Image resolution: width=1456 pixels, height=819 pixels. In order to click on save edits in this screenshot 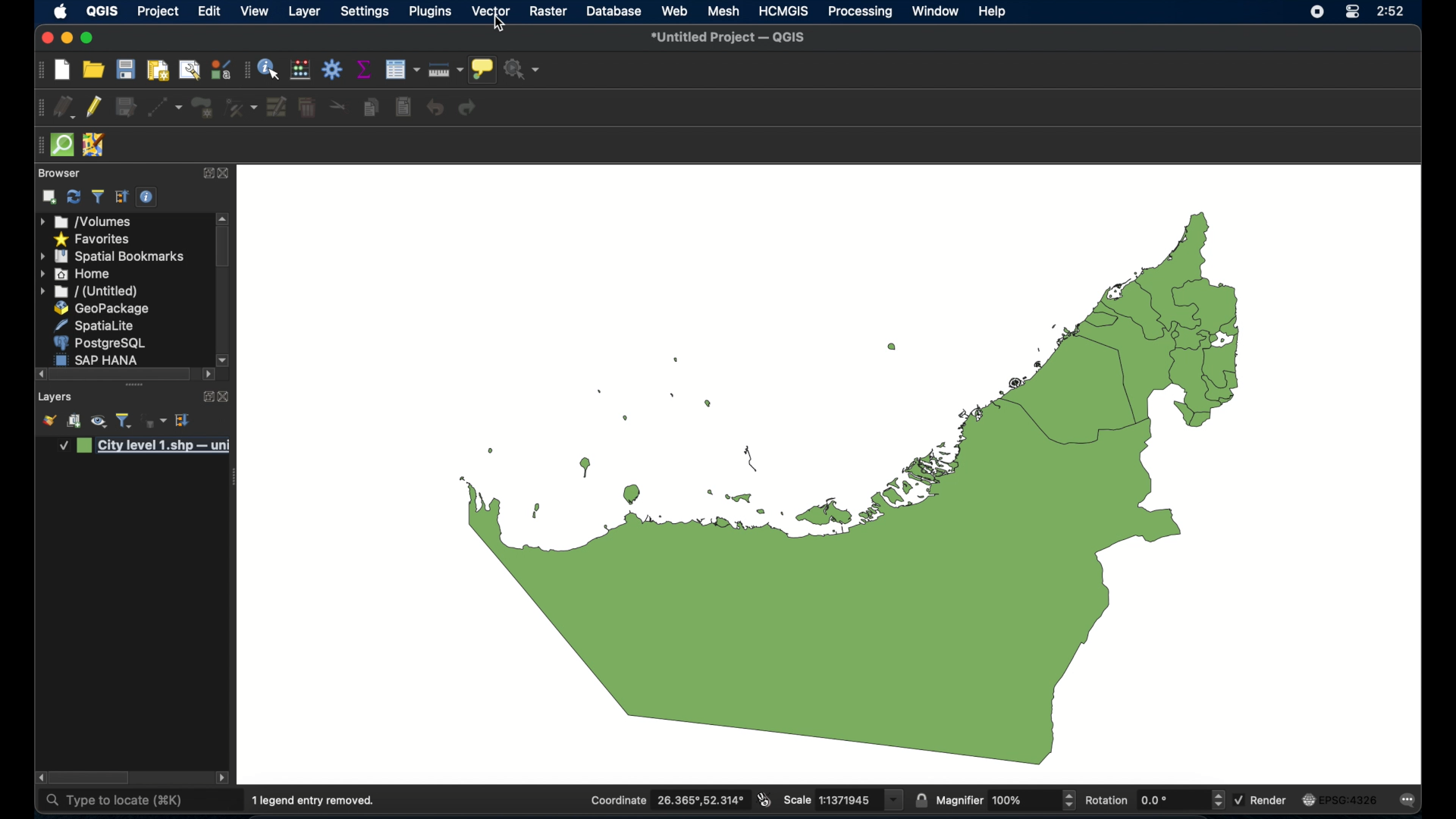, I will do `click(127, 108)`.